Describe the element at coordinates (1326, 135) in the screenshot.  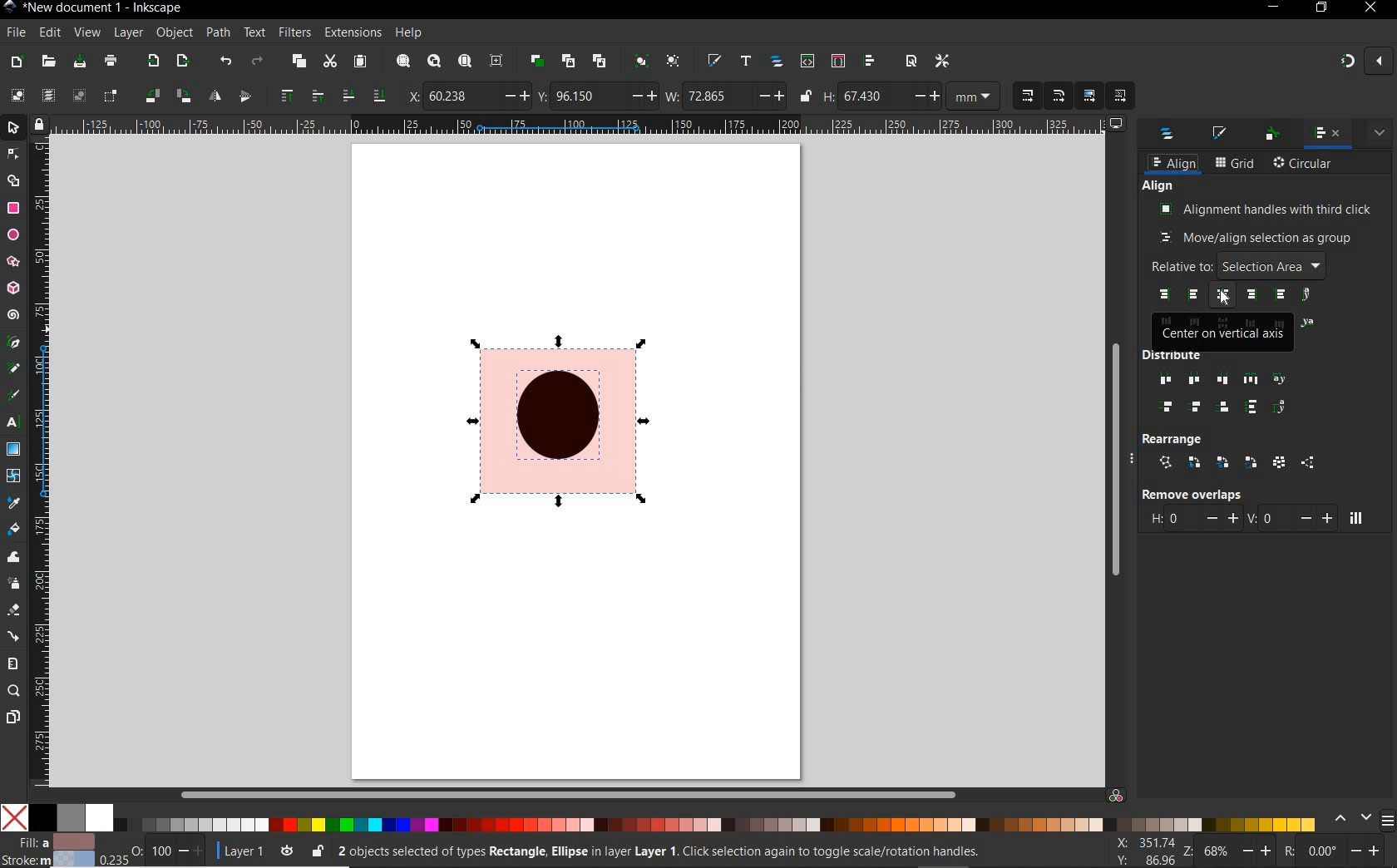
I see `align & distribute` at that location.